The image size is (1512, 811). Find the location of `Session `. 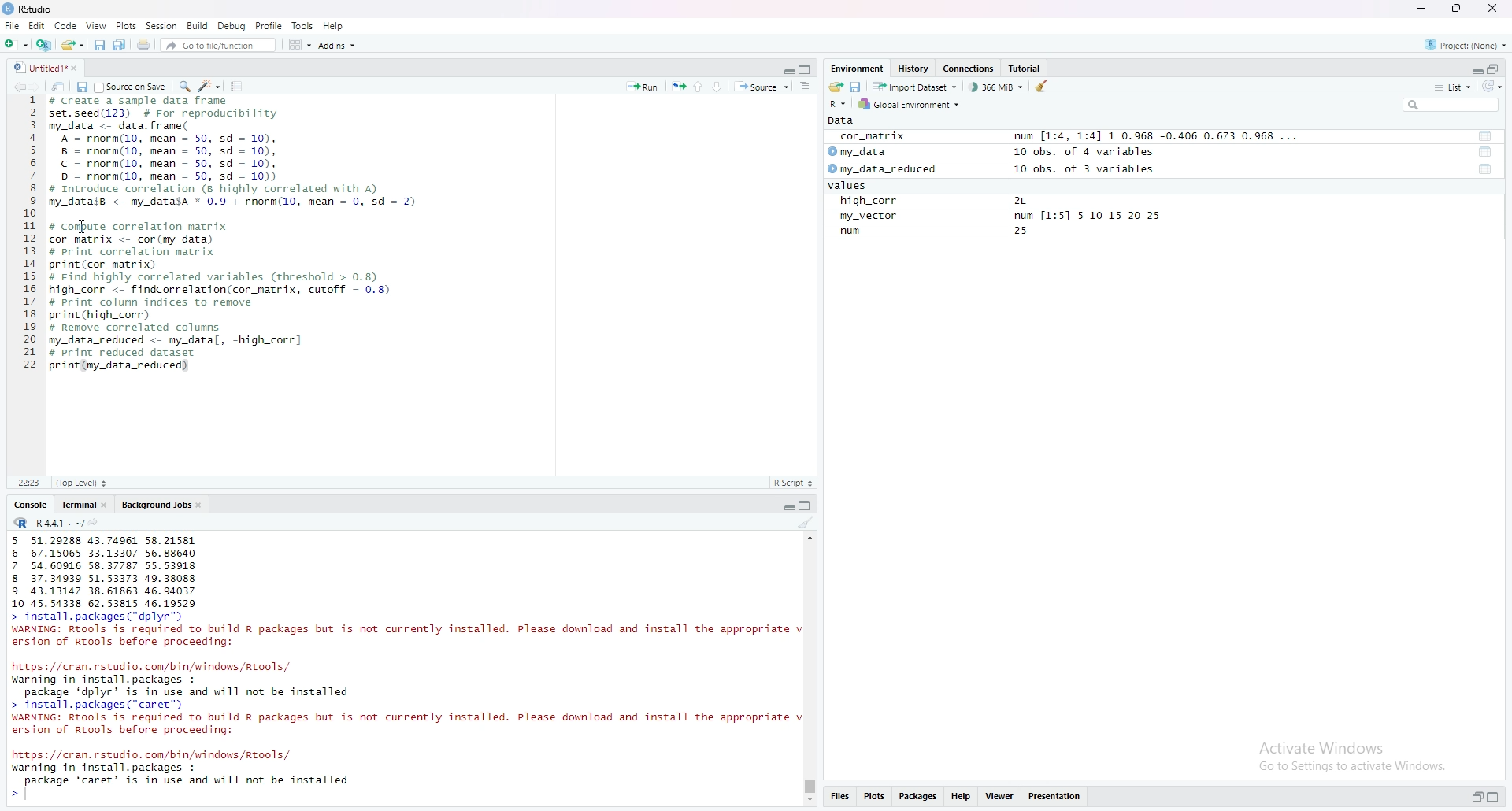

Session  is located at coordinates (162, 26).